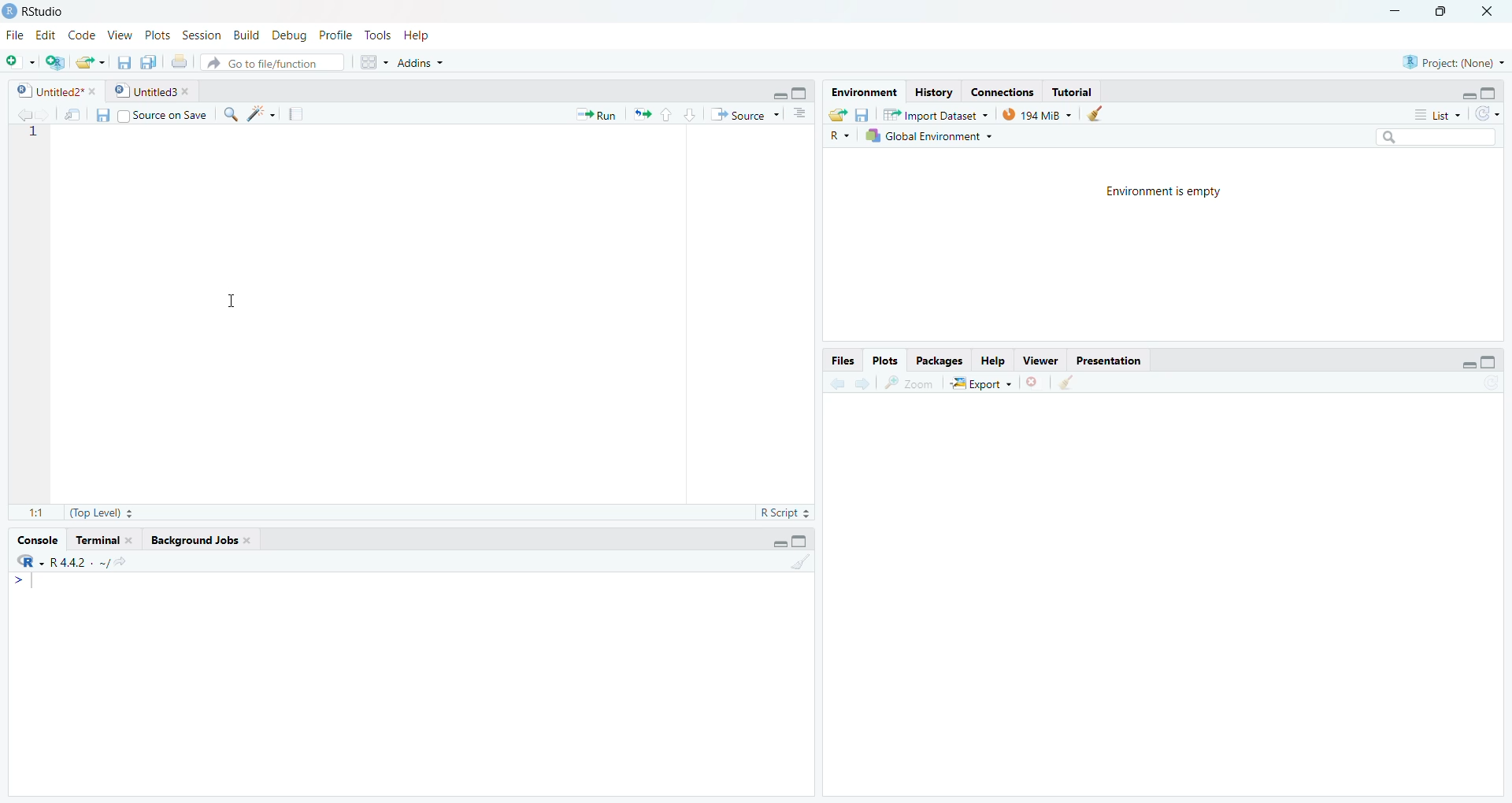 Image resolution: width=1512 pixels, height=803 pixels. What do you see at coordinates (1038, 114) in the screenshot?
I see `194 MiB` at bounding box center [1038, 114].